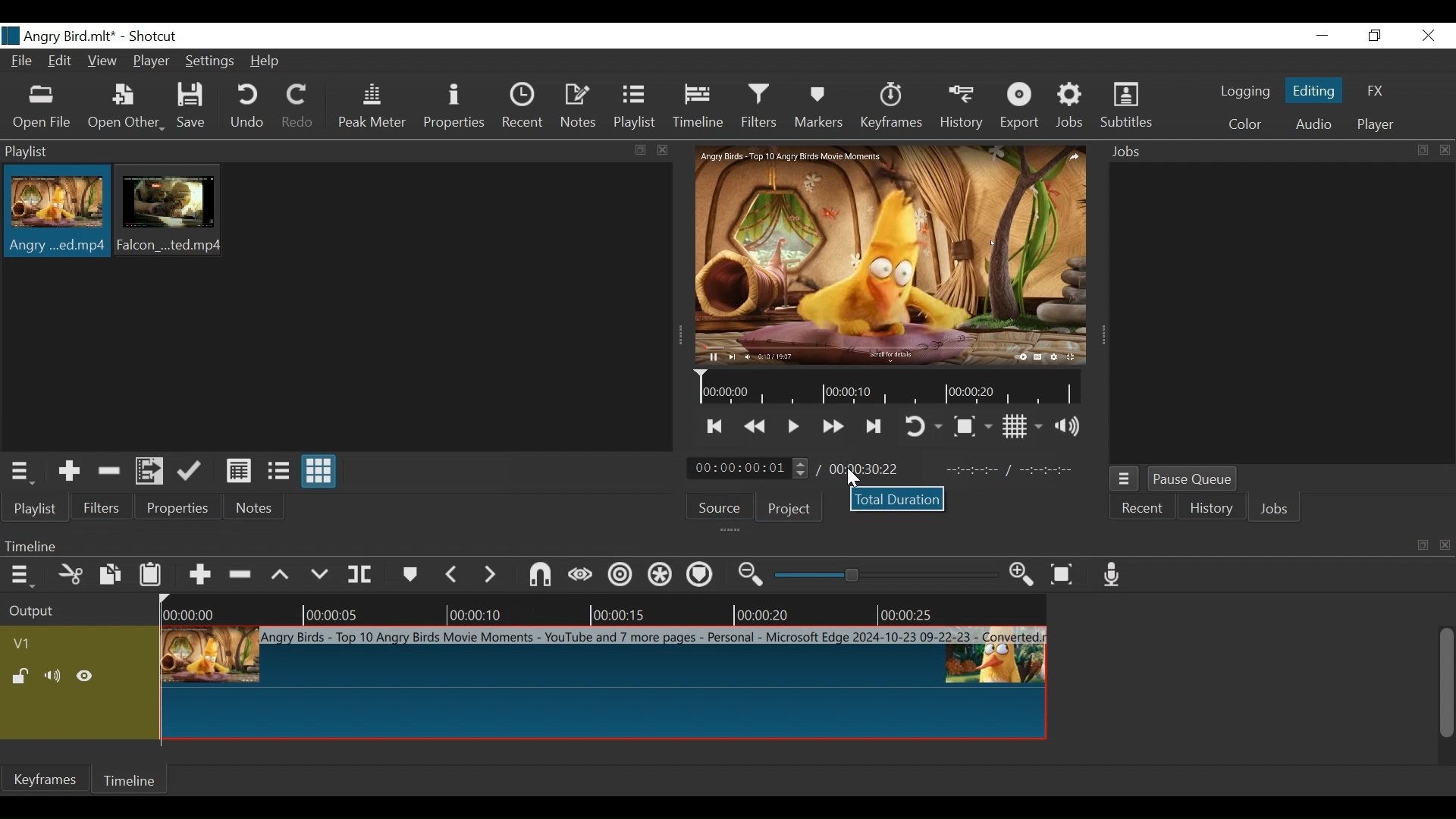  Describe the element at coordinates (699, 574) in the screenshot. I see `Ripple Markers` at that location.